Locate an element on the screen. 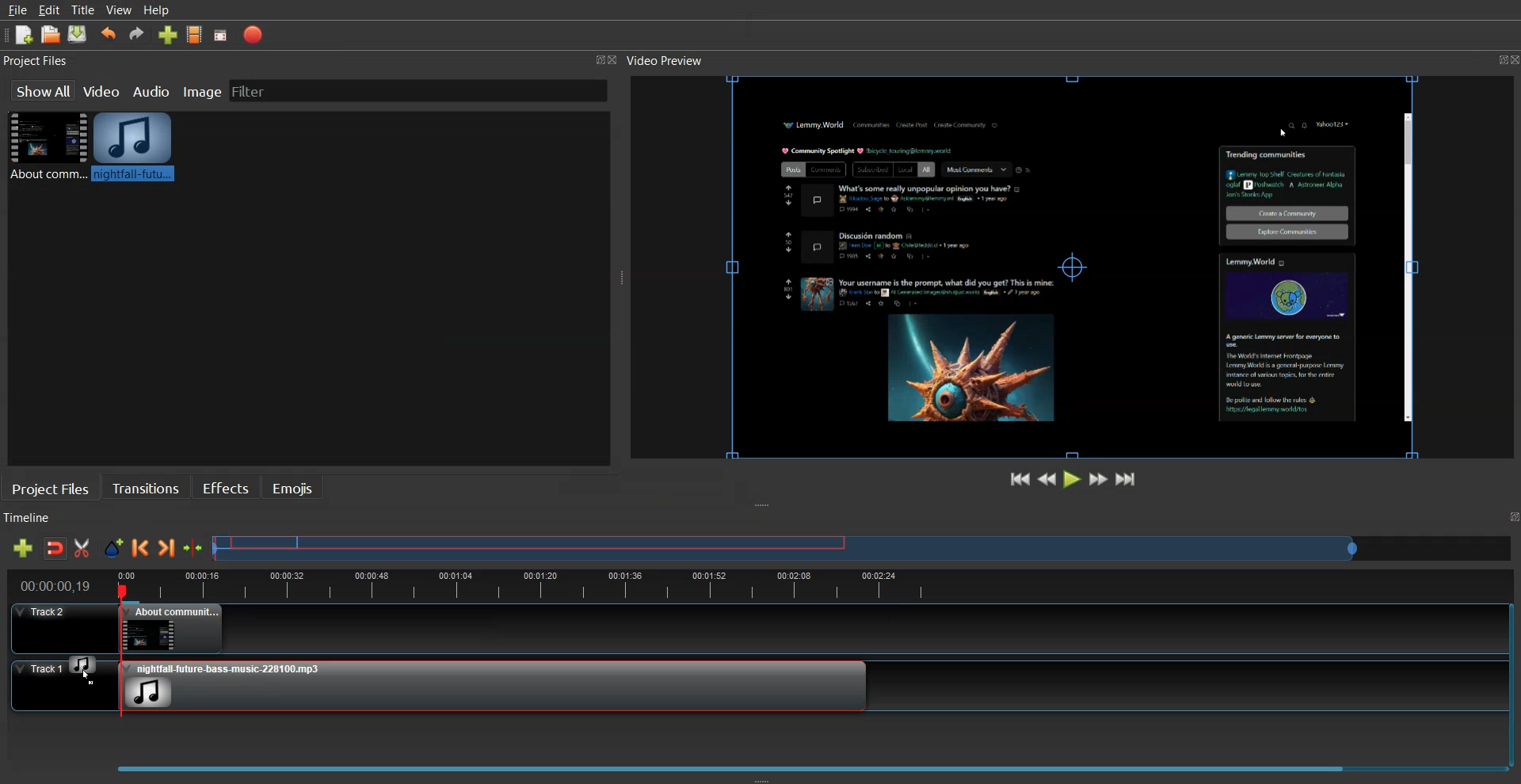 This screenshot has height=784, width=1521. Effects is located at coordinates (225, 486).